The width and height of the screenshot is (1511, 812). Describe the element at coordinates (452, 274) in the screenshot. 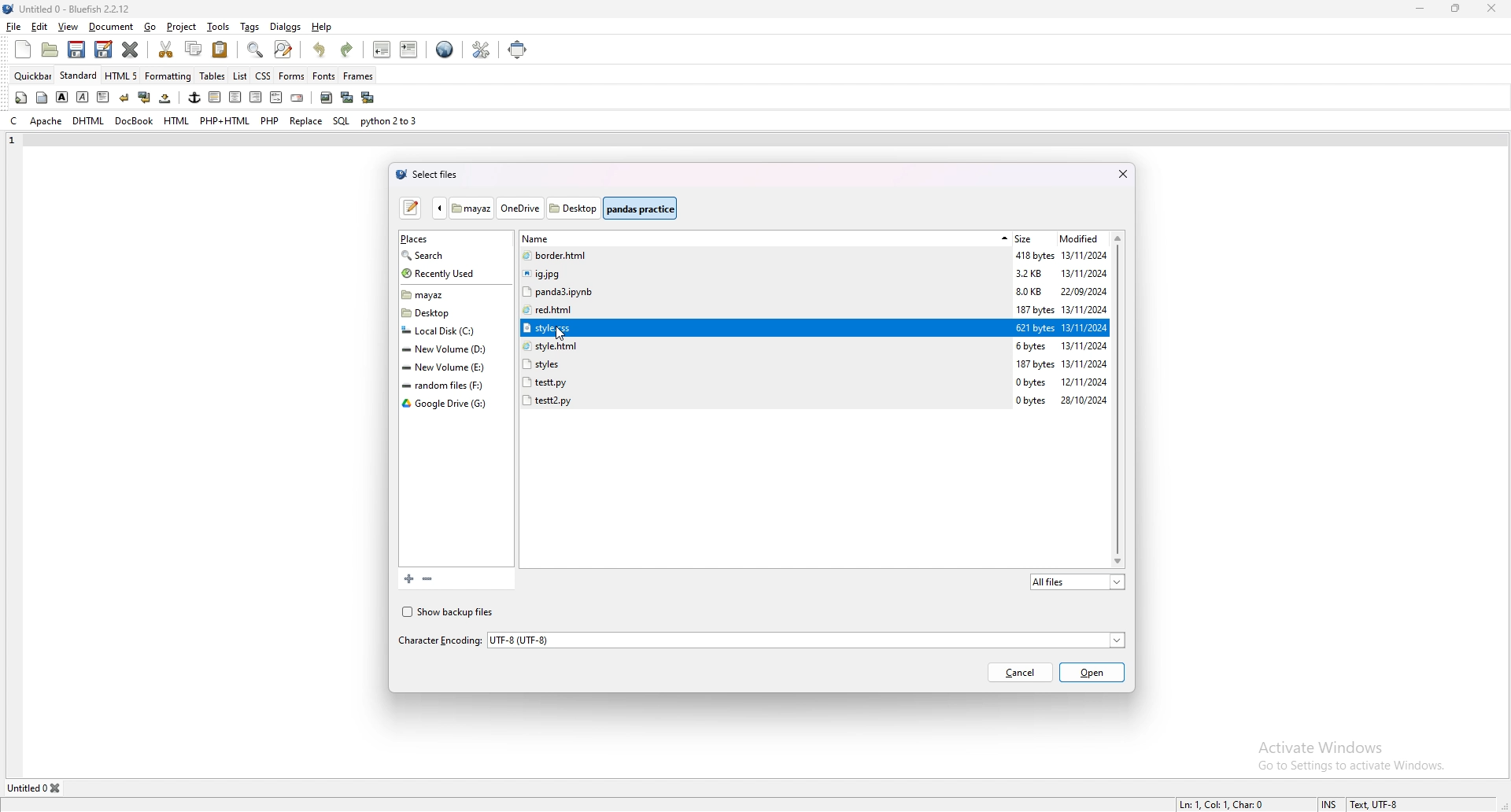

I see `recently used` at that location.